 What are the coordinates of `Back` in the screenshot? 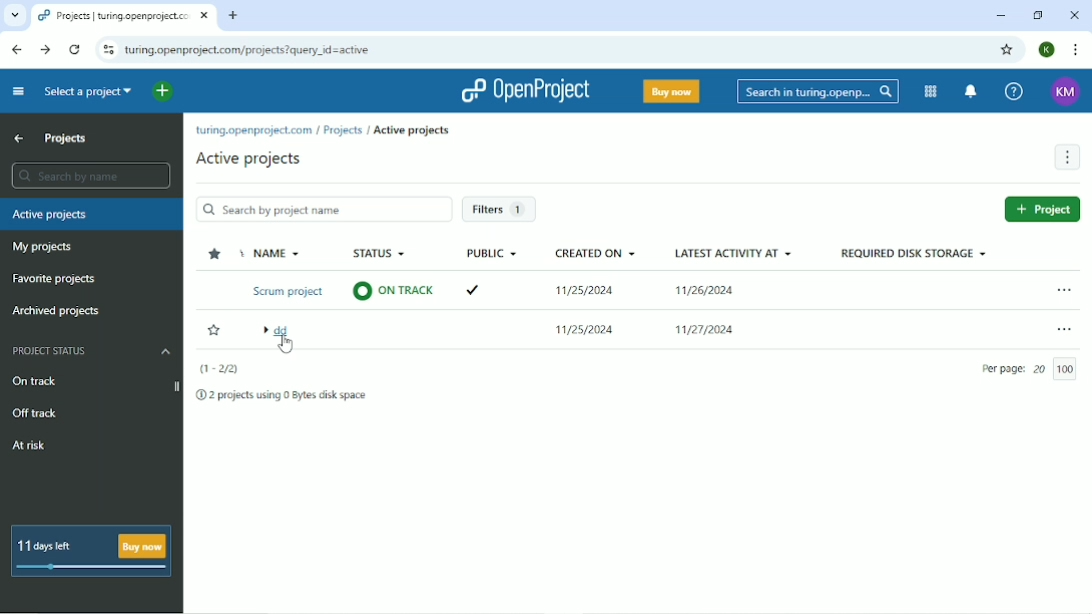 It's located at (14, 48).